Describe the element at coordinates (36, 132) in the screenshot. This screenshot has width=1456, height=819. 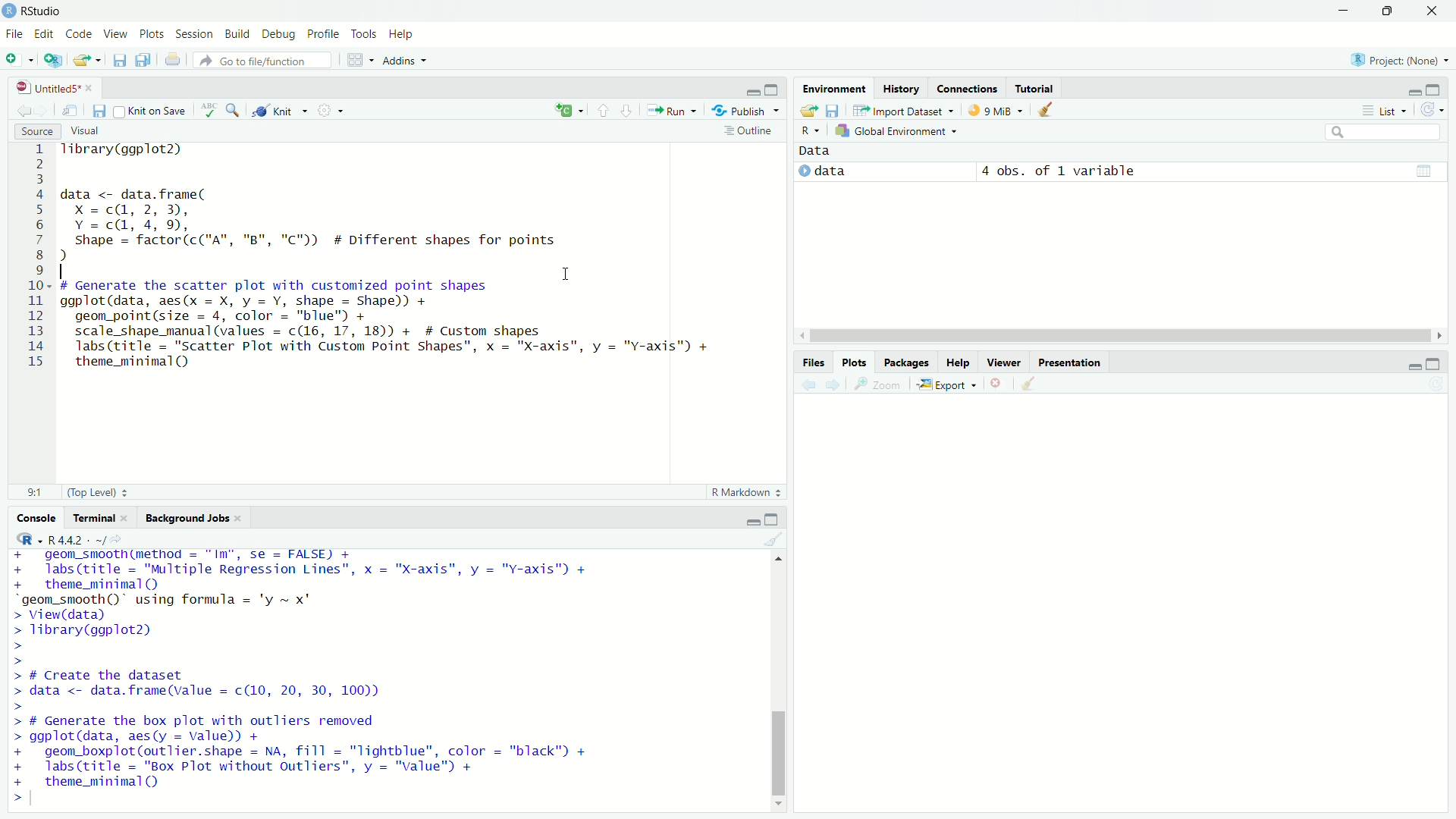
I see `Source` at that location.